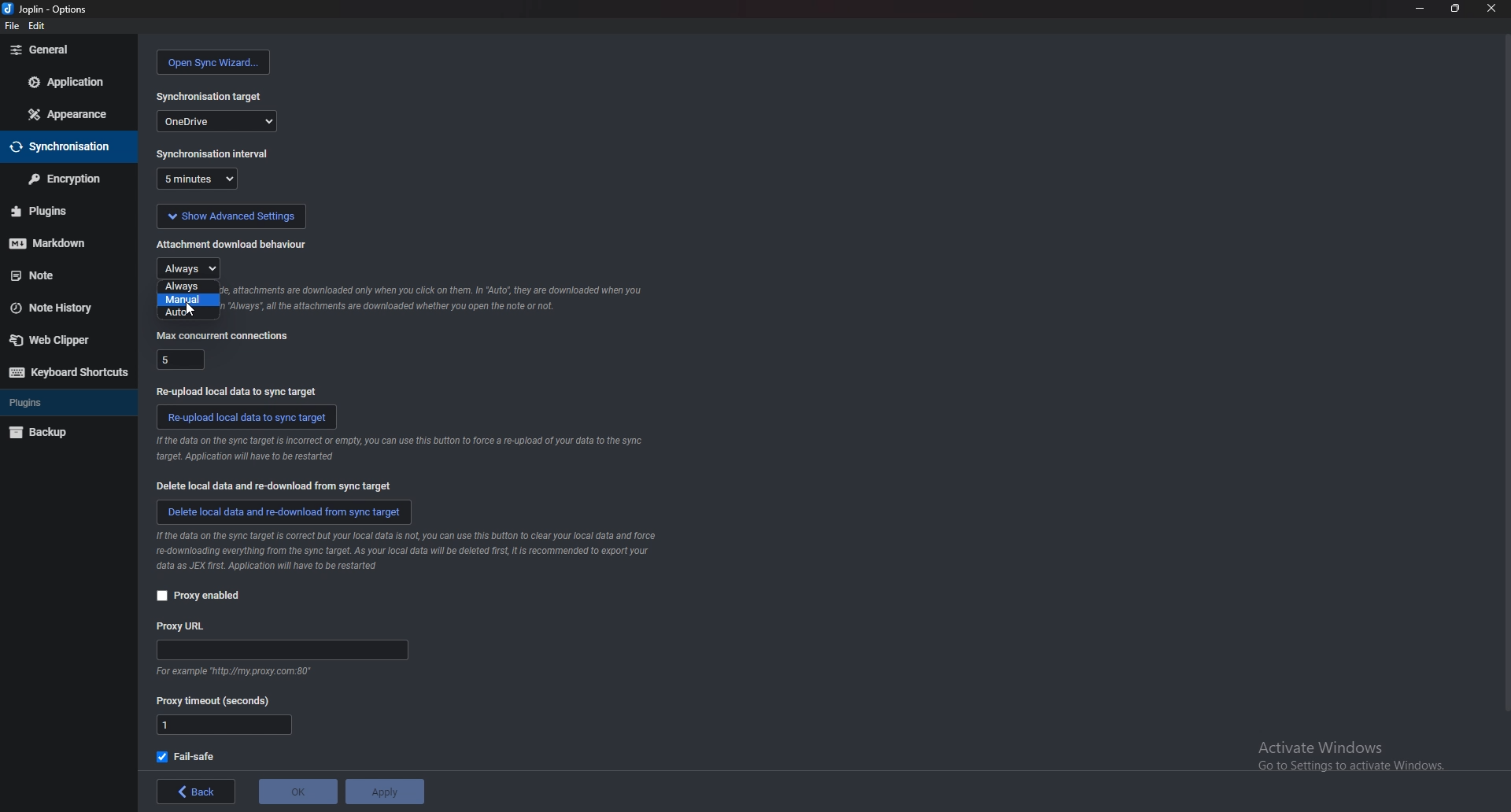  I want to click on always, so click(190, 268).